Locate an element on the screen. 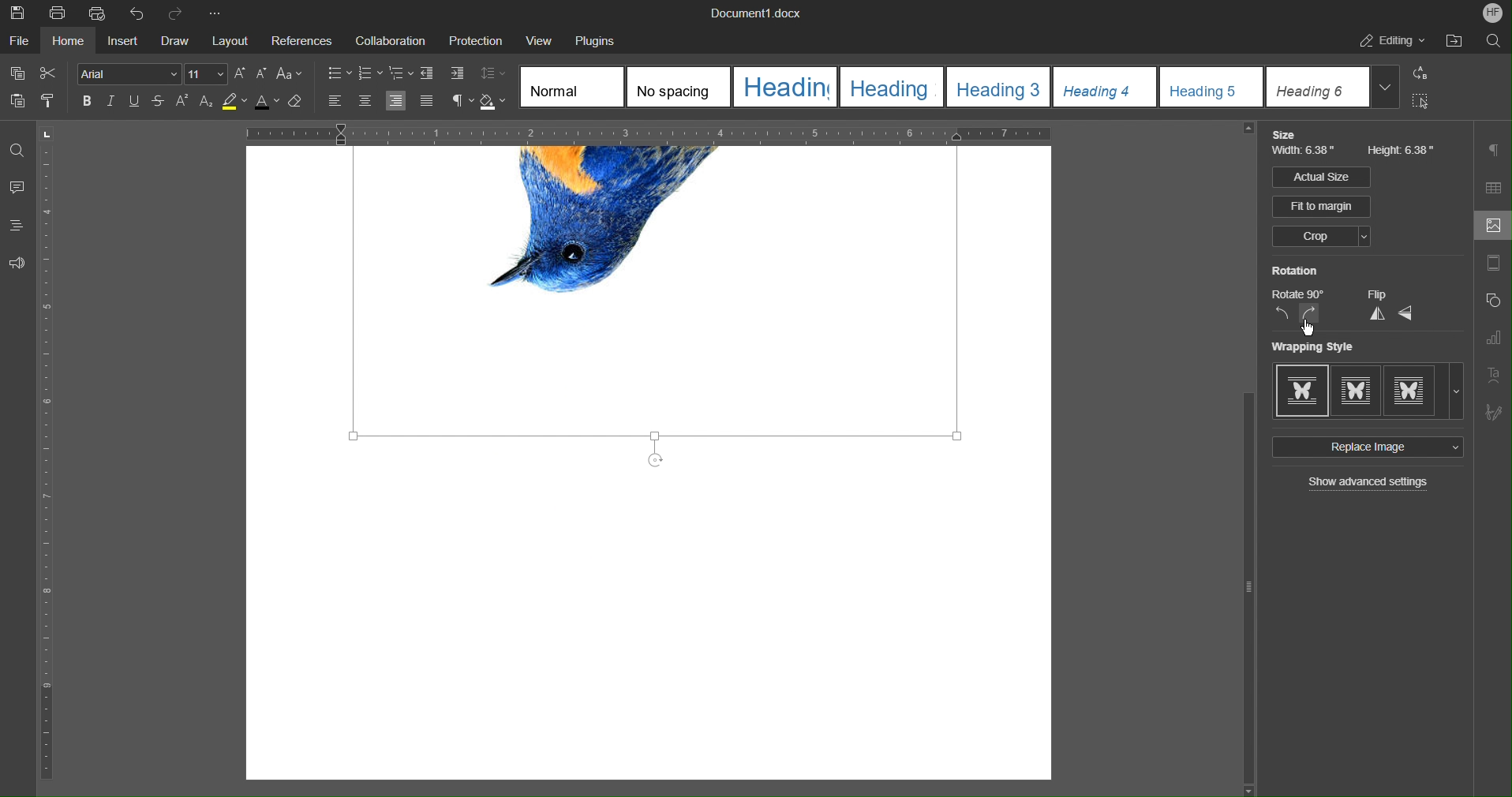 This screenshot has width=1512, height=797. Shading is located at coordinates (494, 102).